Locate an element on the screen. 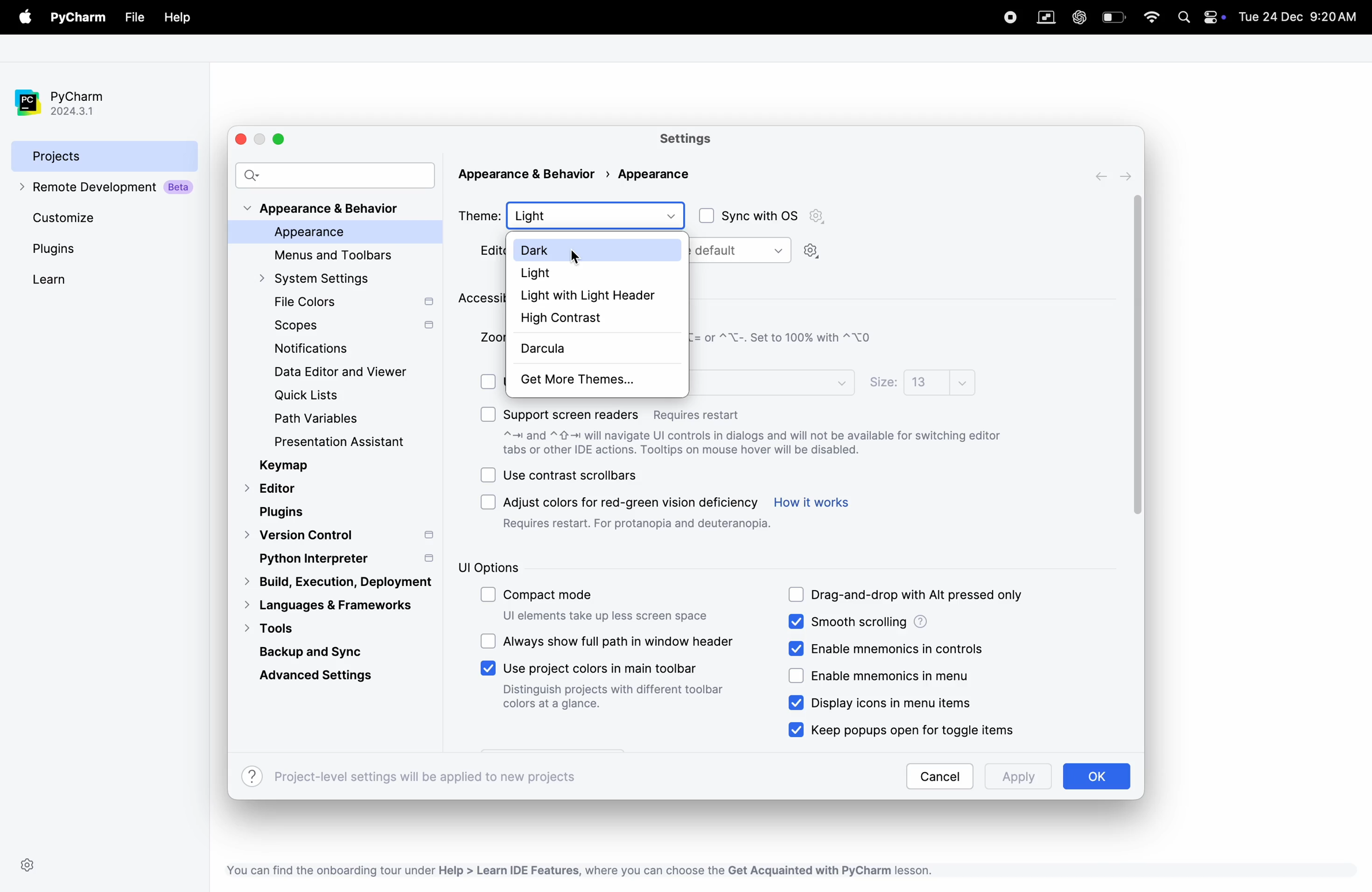 The image size is (1372, 892). always show full path header is located at coordinates (621, 640).